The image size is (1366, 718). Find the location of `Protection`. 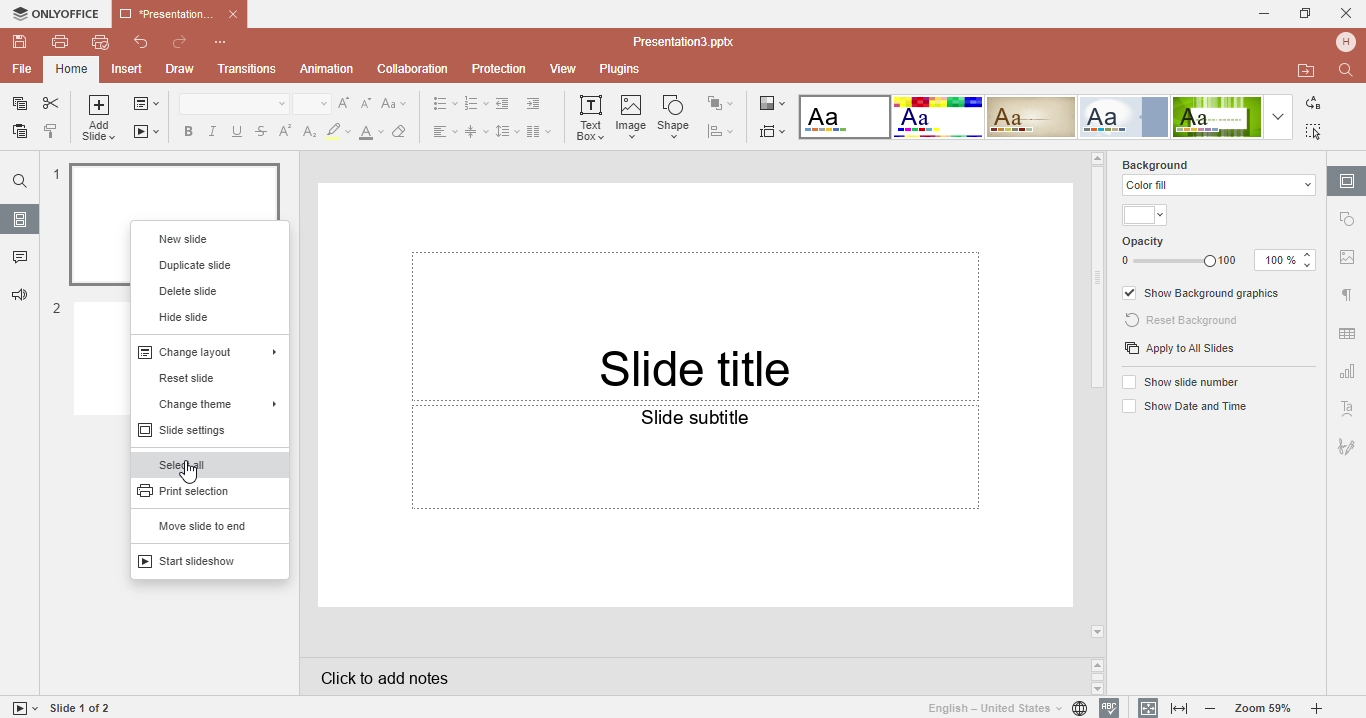

Protection is located at coordinates (502, 68).